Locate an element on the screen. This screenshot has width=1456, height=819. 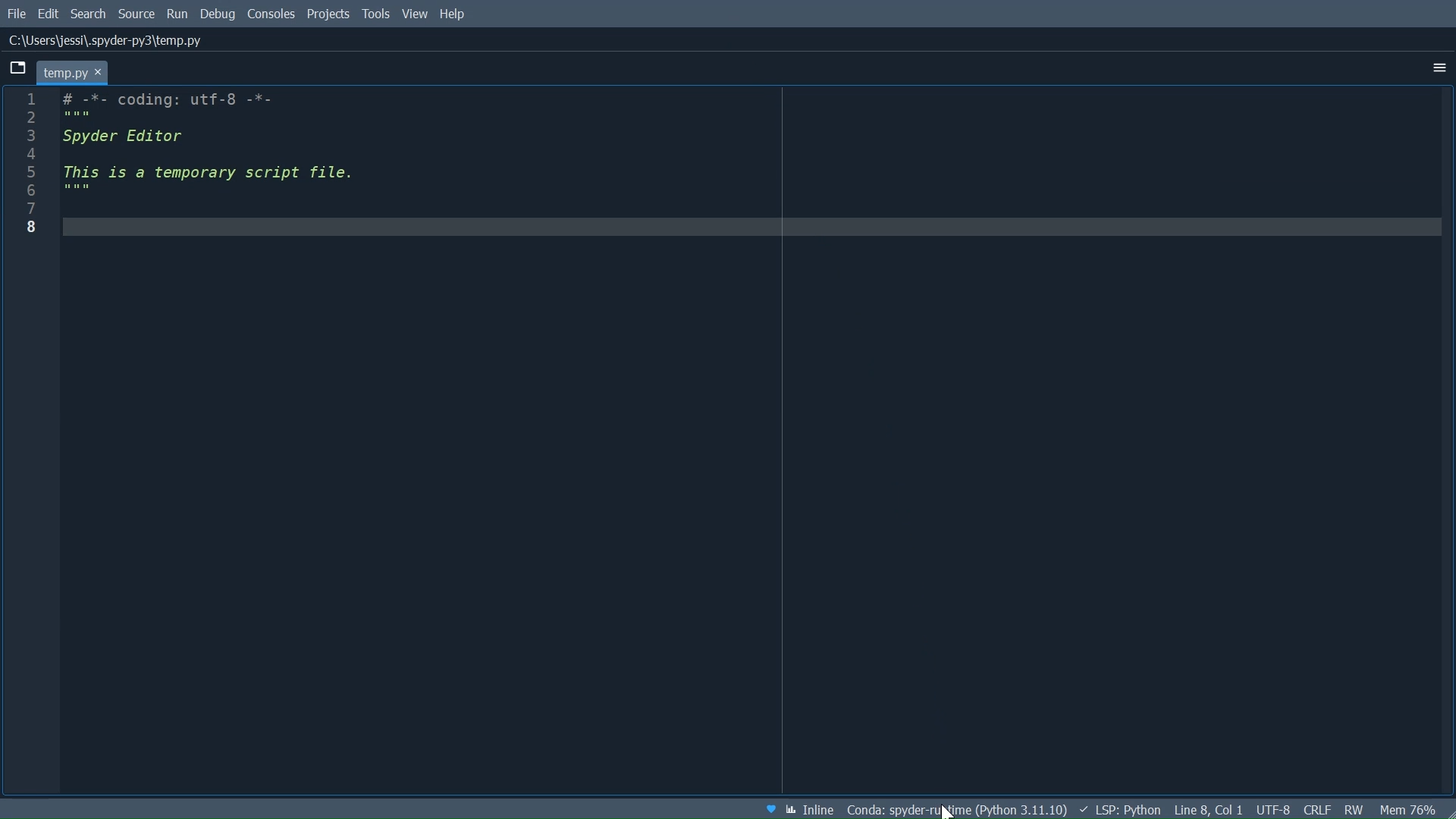
Search is located at coordinates (89, 14).